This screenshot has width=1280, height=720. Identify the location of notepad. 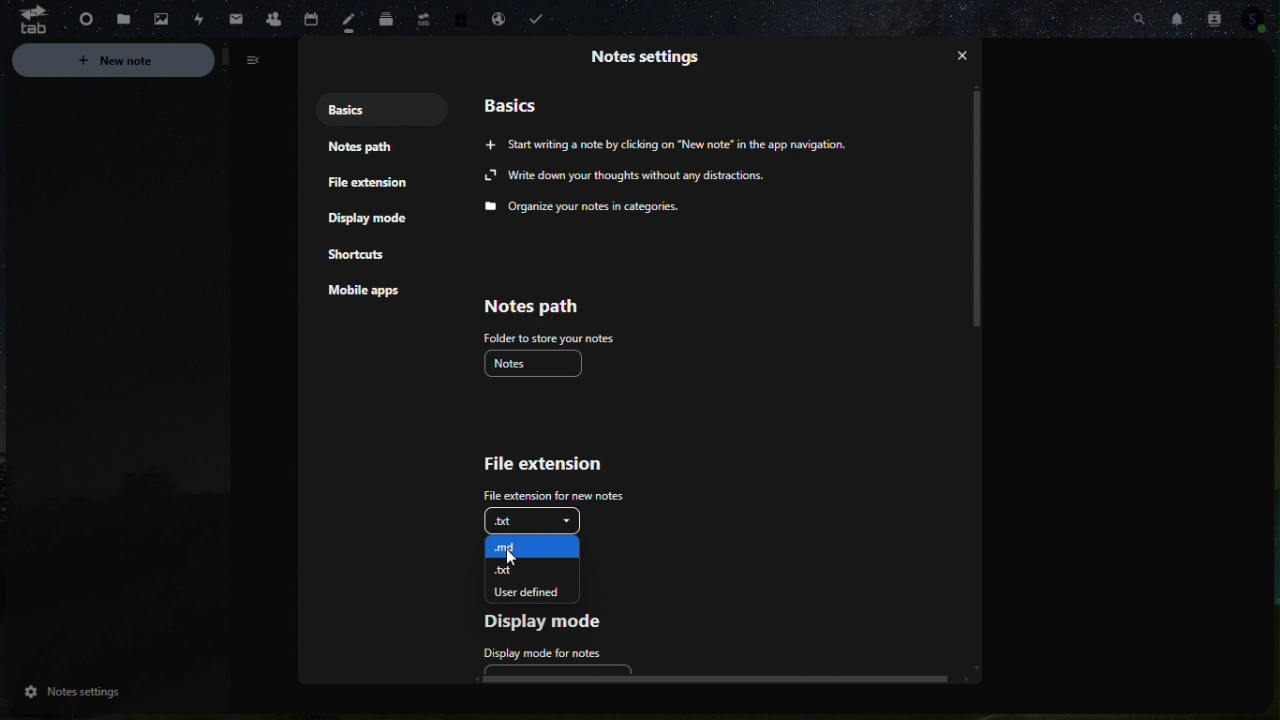
(367, 148).